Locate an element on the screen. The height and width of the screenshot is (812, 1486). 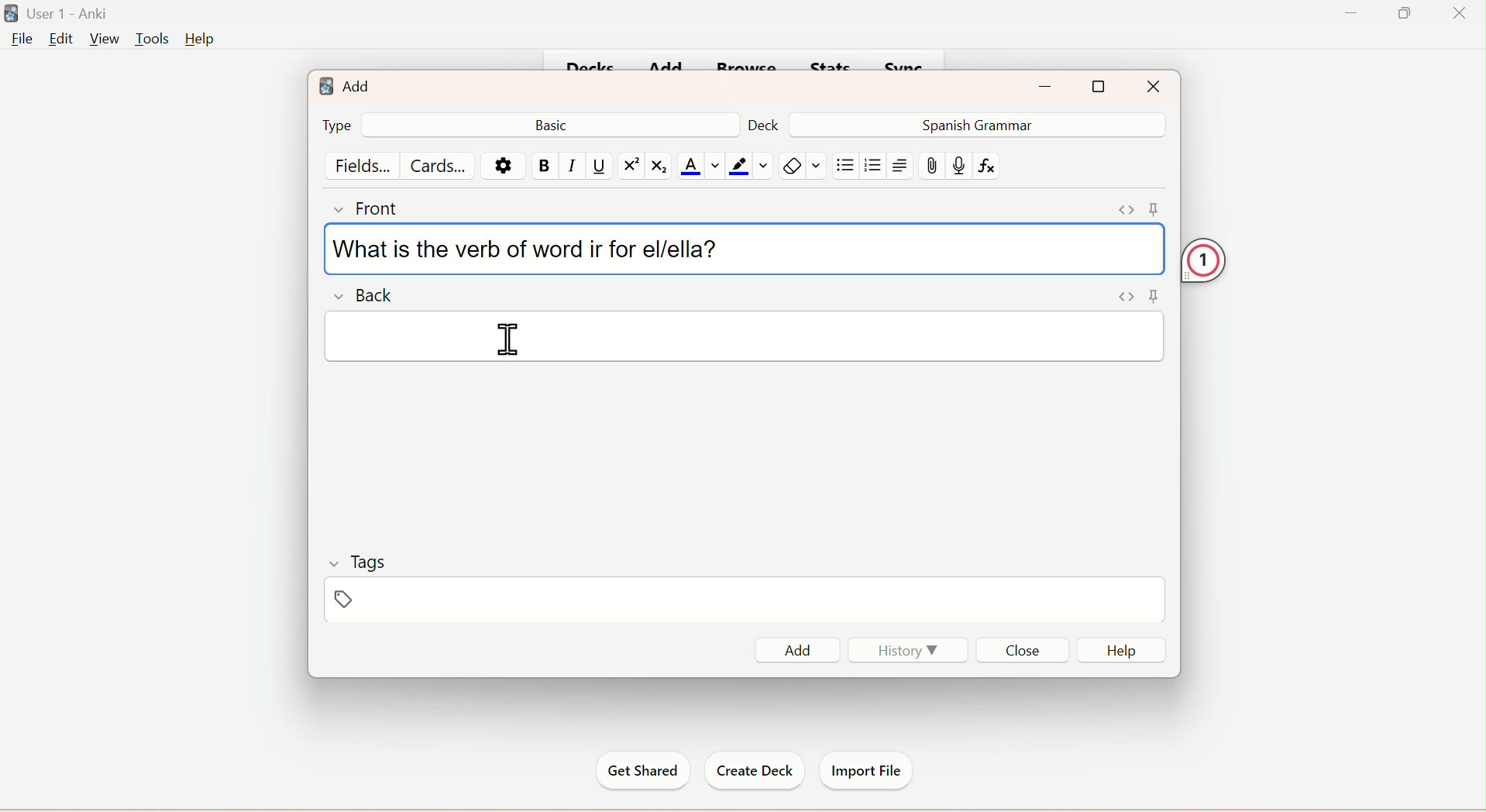
Maximize is located at coordinates (1410, 12).